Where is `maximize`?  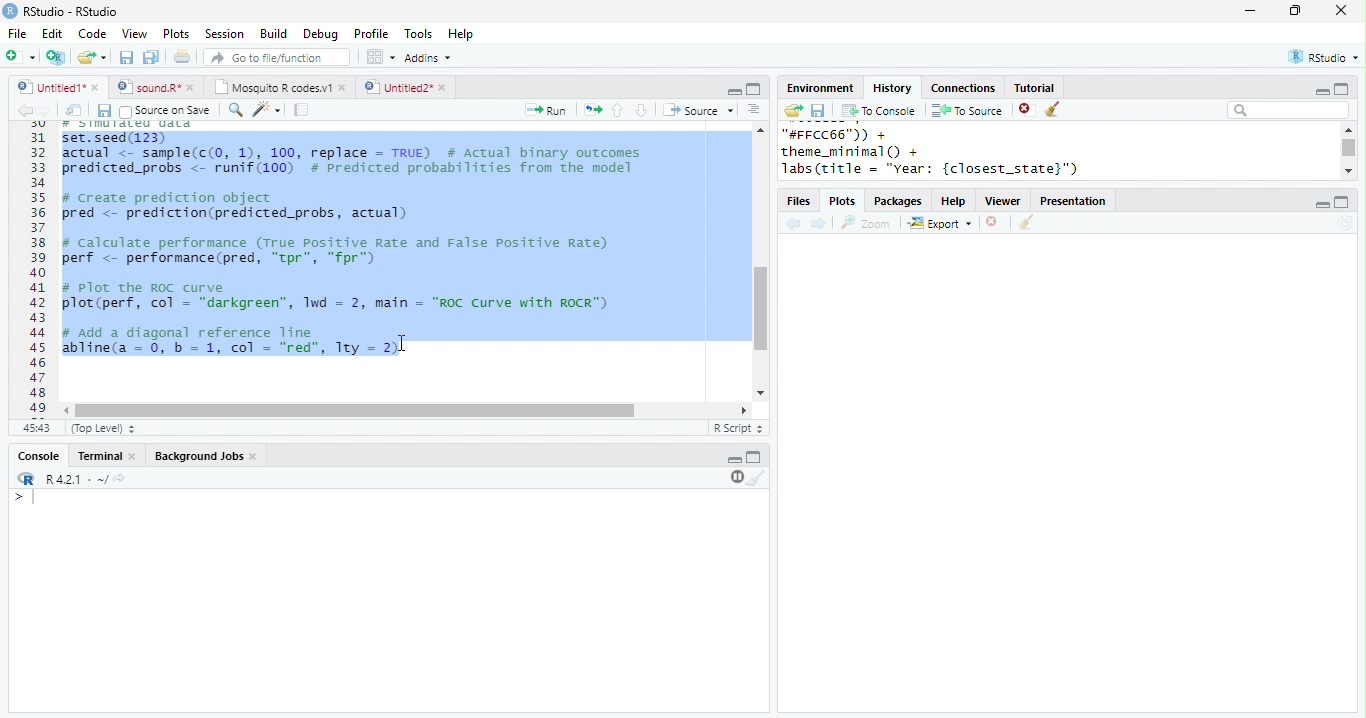 maximize is located at coordinates (753, 89).